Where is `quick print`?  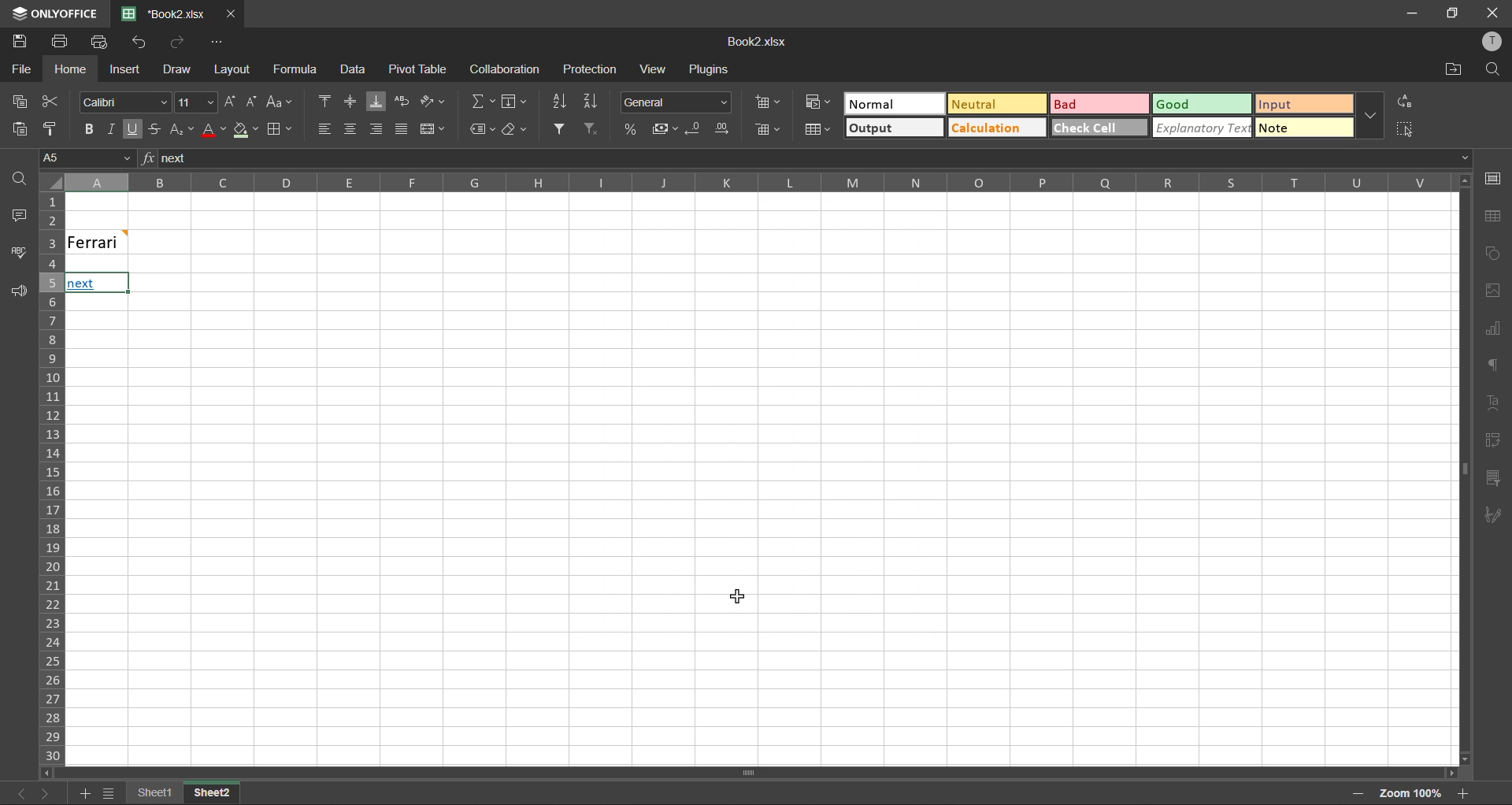
quick print is located at coordinates (99, 41).